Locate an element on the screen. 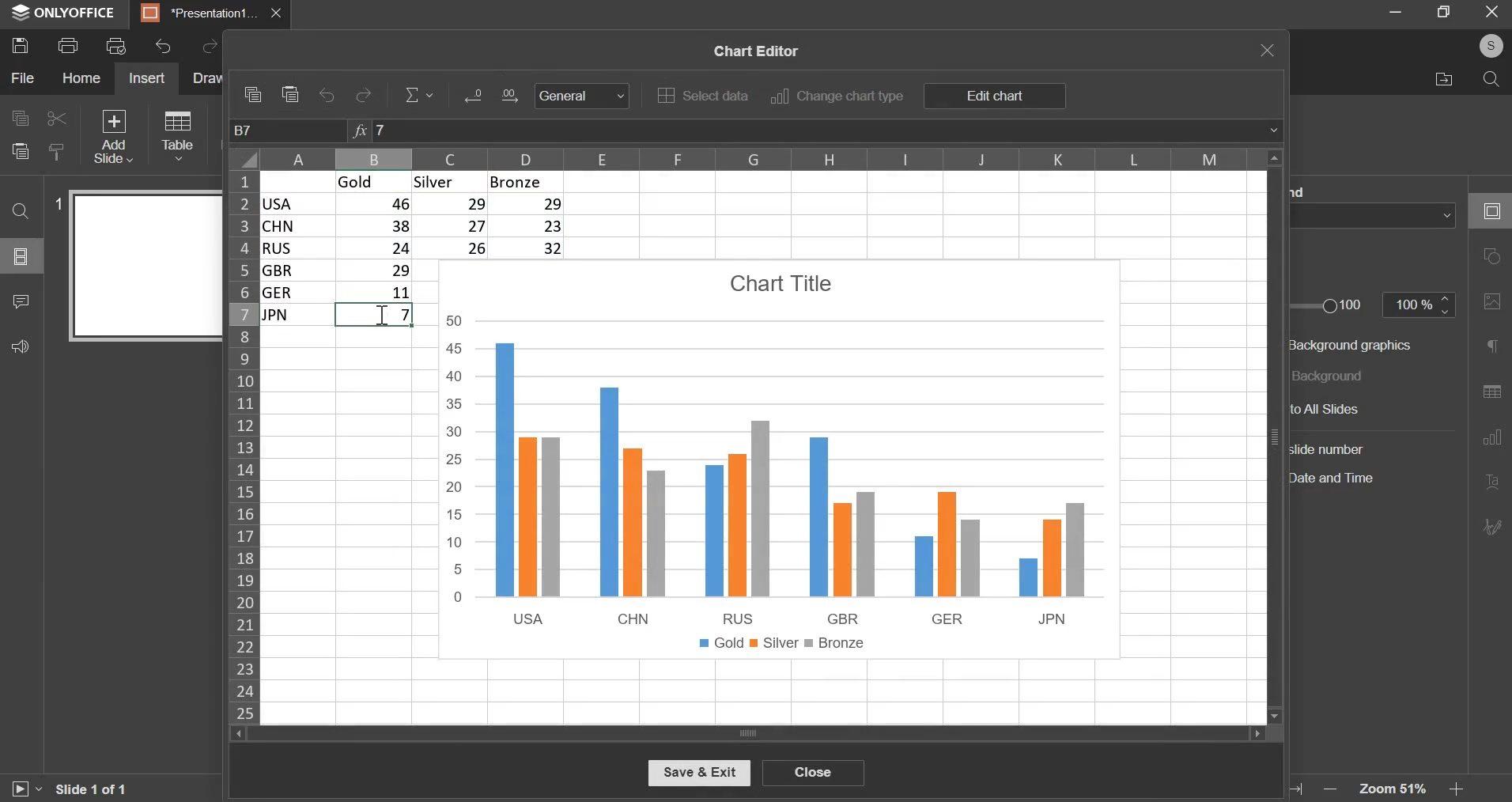  38 is located at coordinates (375, 227).